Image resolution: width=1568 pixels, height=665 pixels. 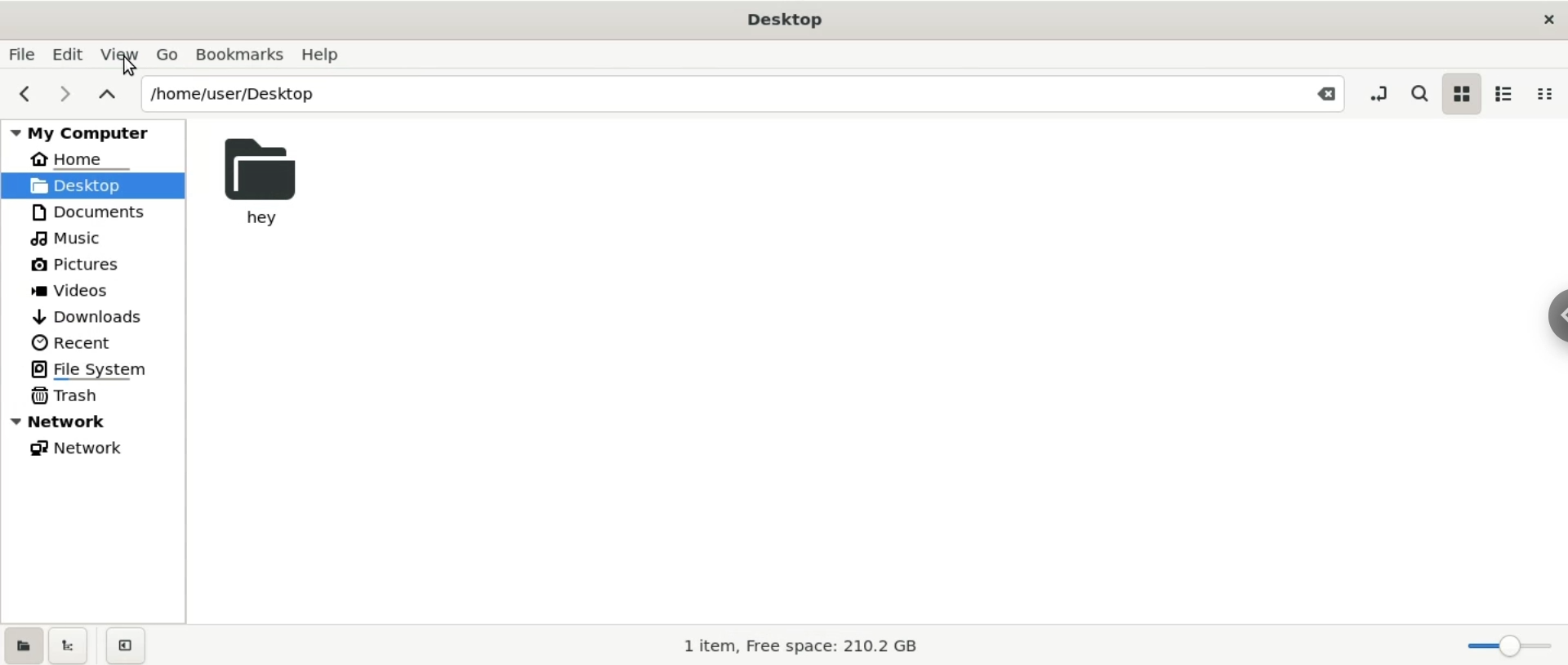 What do you see at coordinates (78, 452) in the screenshot?
I see `Network` at bounding box center [78, 452].